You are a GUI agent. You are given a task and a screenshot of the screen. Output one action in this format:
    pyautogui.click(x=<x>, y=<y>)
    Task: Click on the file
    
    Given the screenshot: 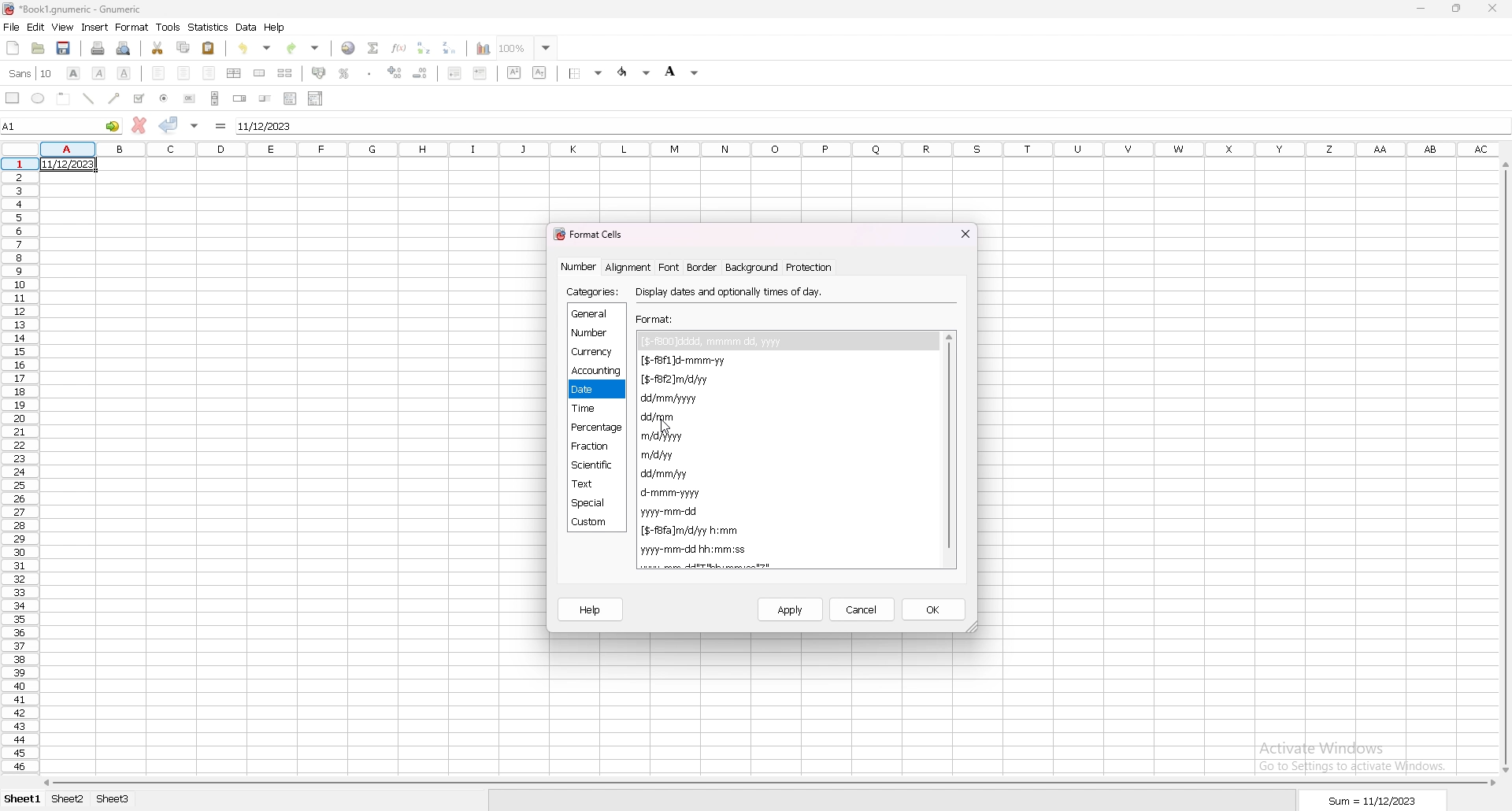 What is the action you would take?
    pyautogui.click(x=11, y=28)
    